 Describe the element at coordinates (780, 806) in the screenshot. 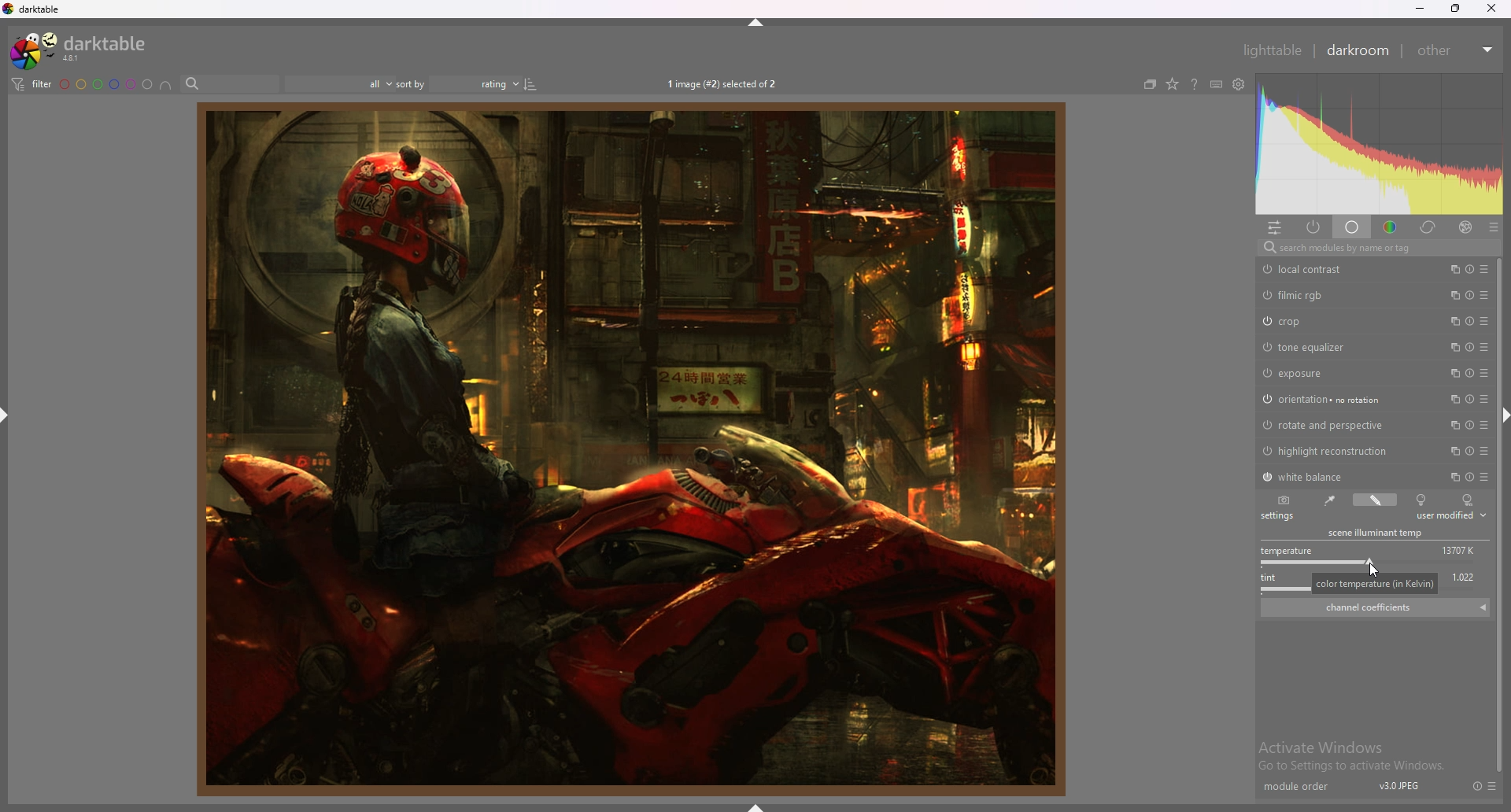

I see `hide` at that location.